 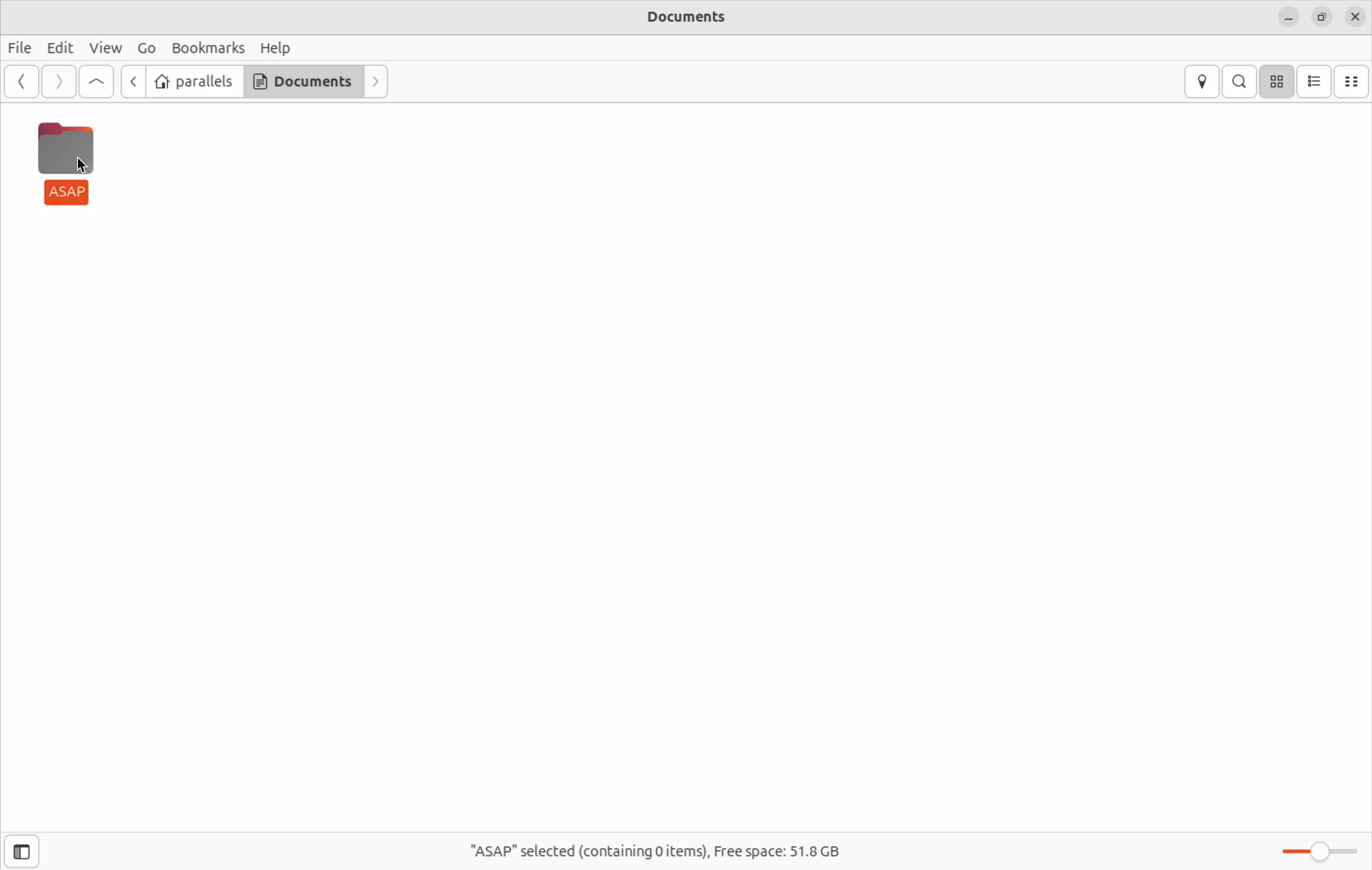 What do you see at coordinates (1279, 81) in the screenshot?
I see `icon view` at bounding box center [1279, 81].